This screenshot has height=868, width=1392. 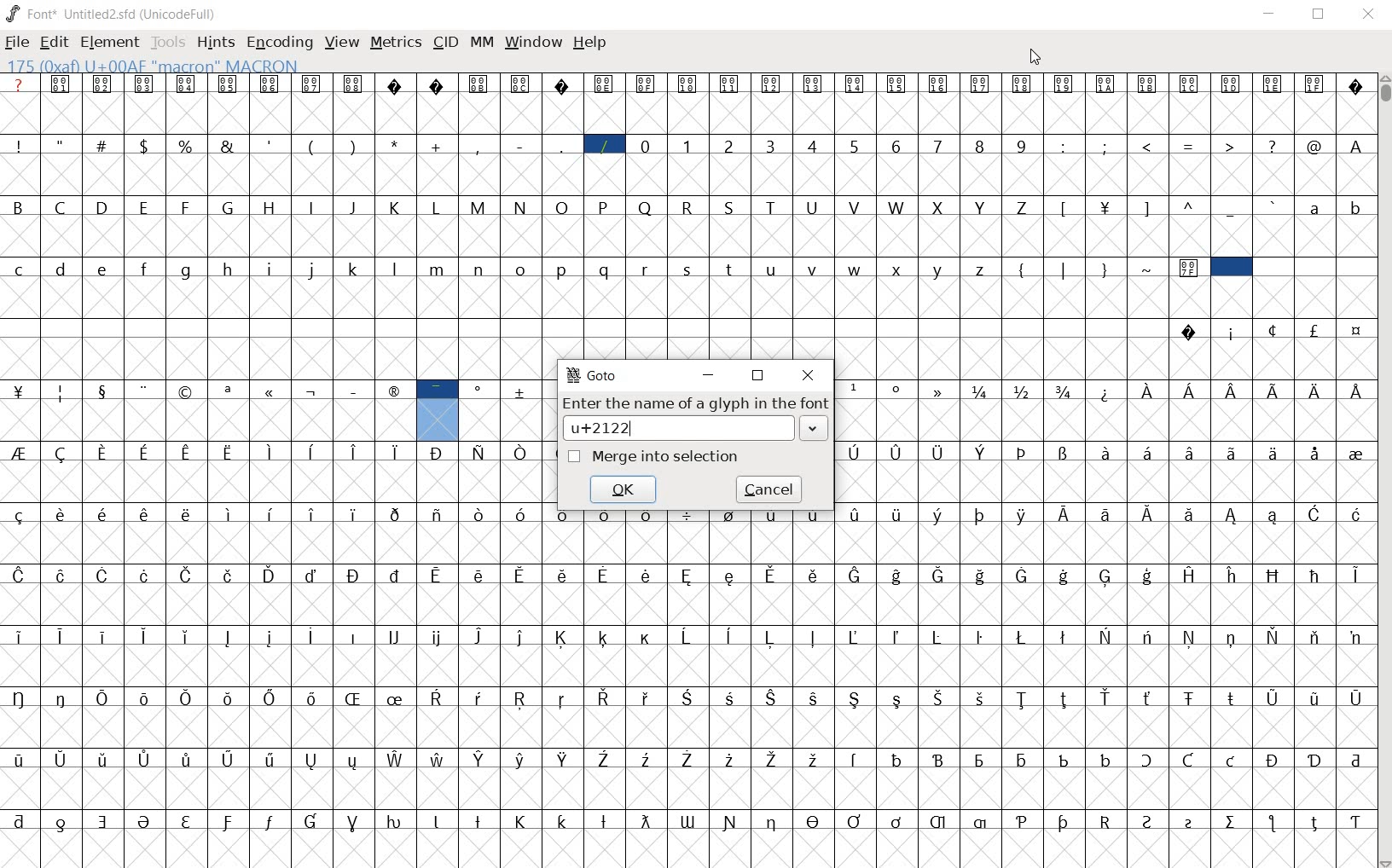 What do you see at coordinates (684, 105) in the screenshot?
I see `symbols` at bounding box center [684, 105].